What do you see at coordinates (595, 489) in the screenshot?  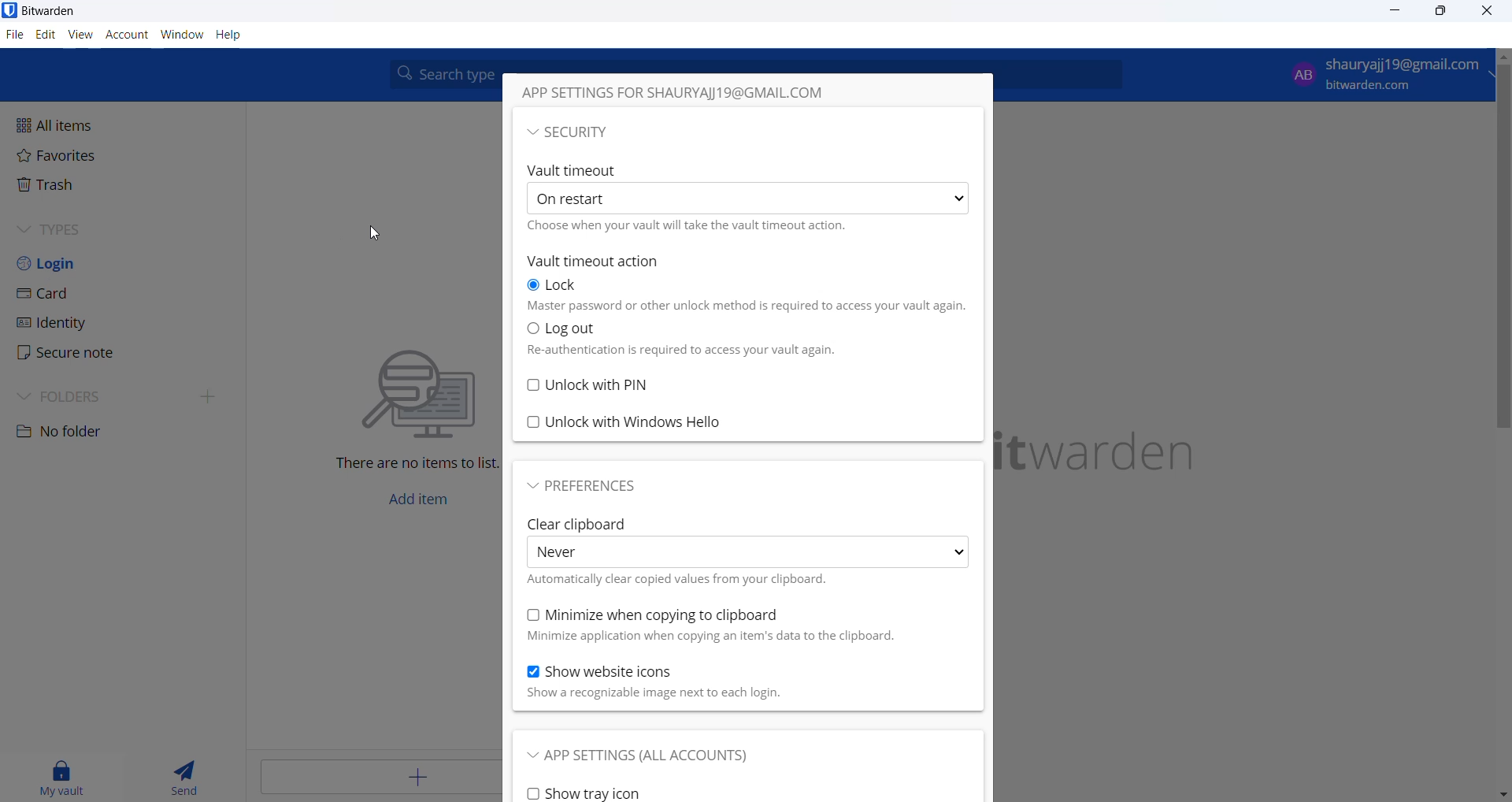 I see `preferences options` at bounding box center [595, 489].